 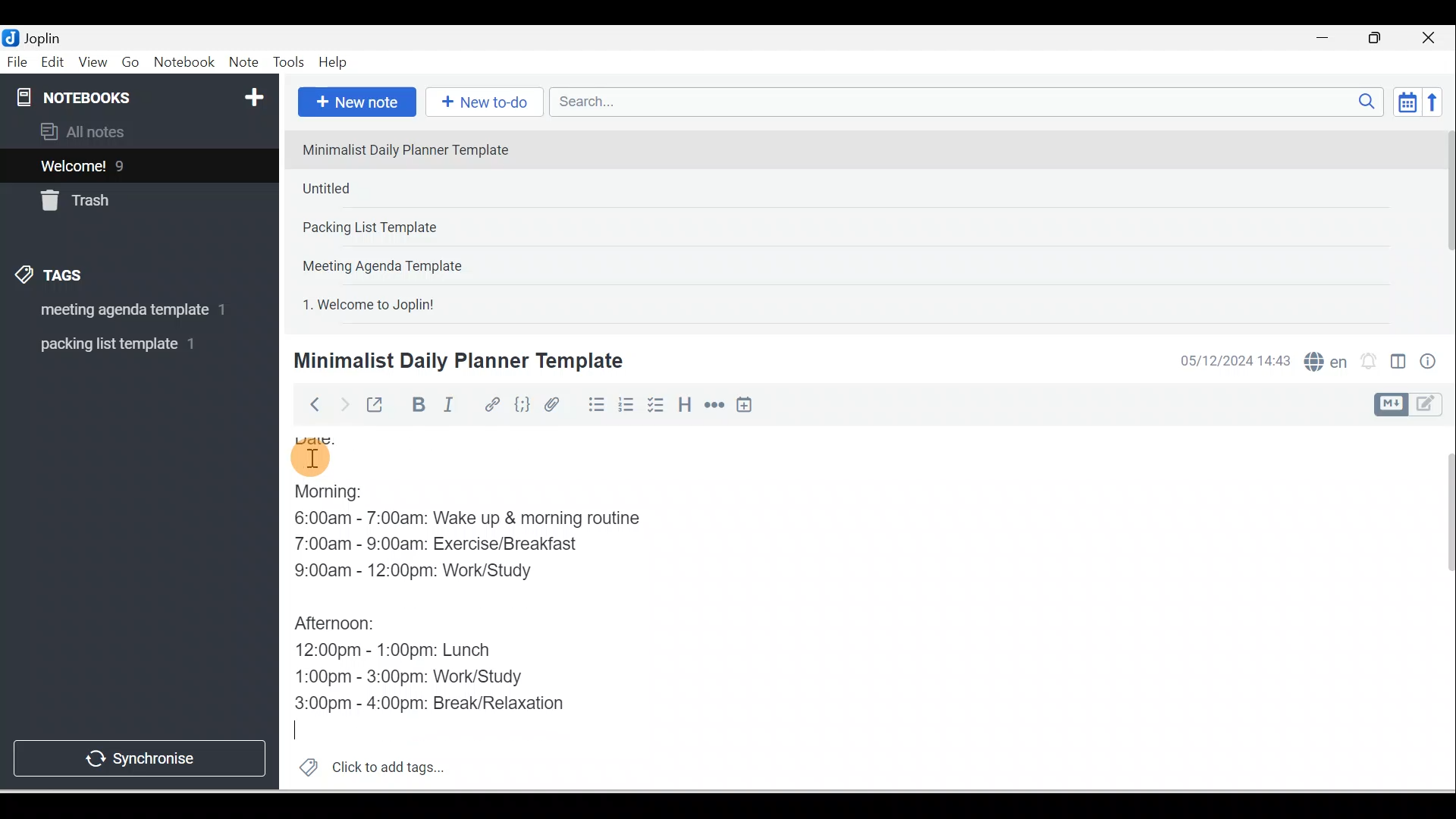 What do you see at coordinates (1327, 39) in the screenshot?
I see `Minimise` at bounding box center [1327, 39].